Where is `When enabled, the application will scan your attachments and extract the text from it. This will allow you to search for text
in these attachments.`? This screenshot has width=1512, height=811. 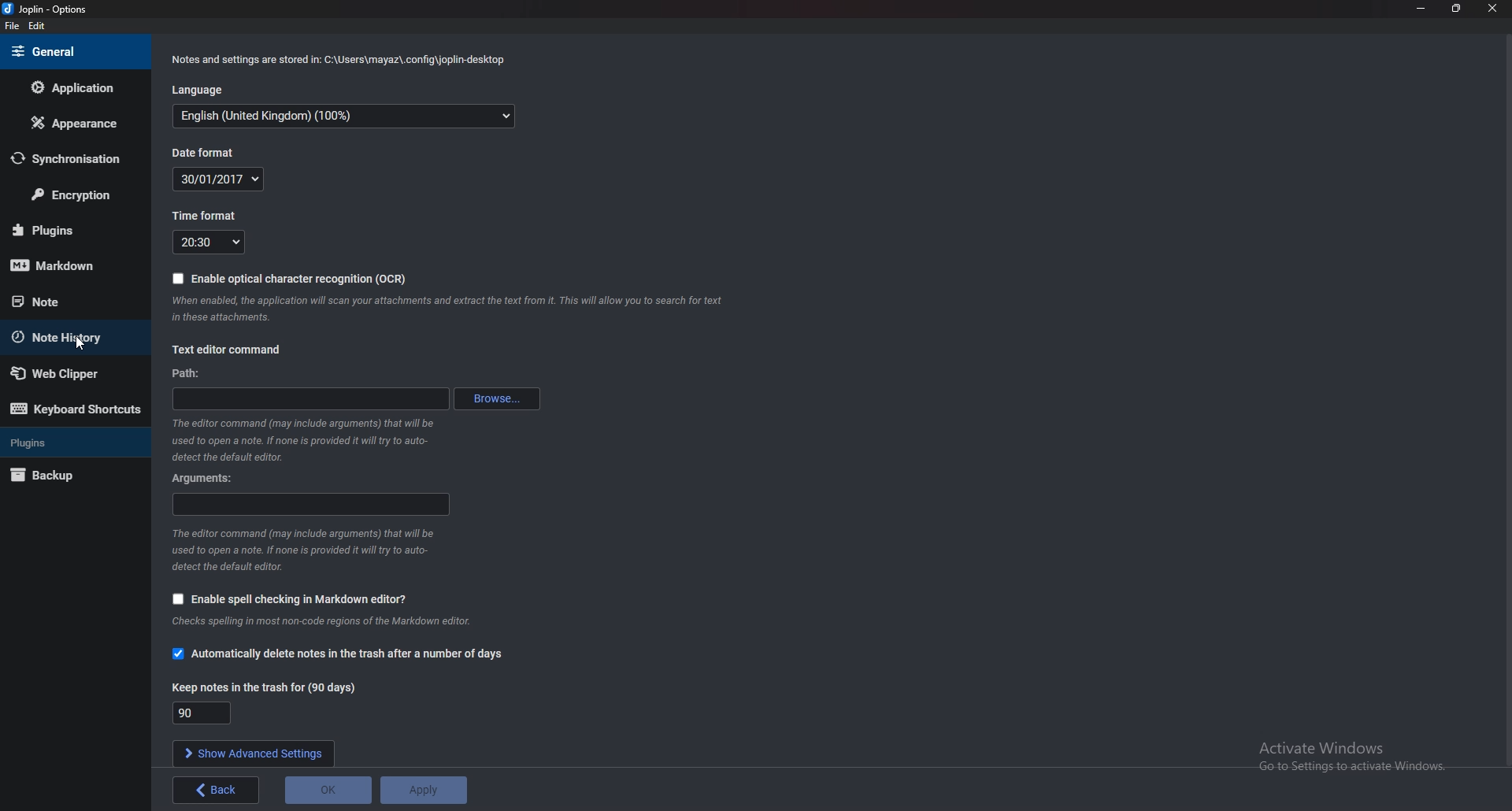
When enabled, the application will scan your attachments and extract the text from it. This will allow you to search for text
in these attachments. is located at coordinates (444, 312).